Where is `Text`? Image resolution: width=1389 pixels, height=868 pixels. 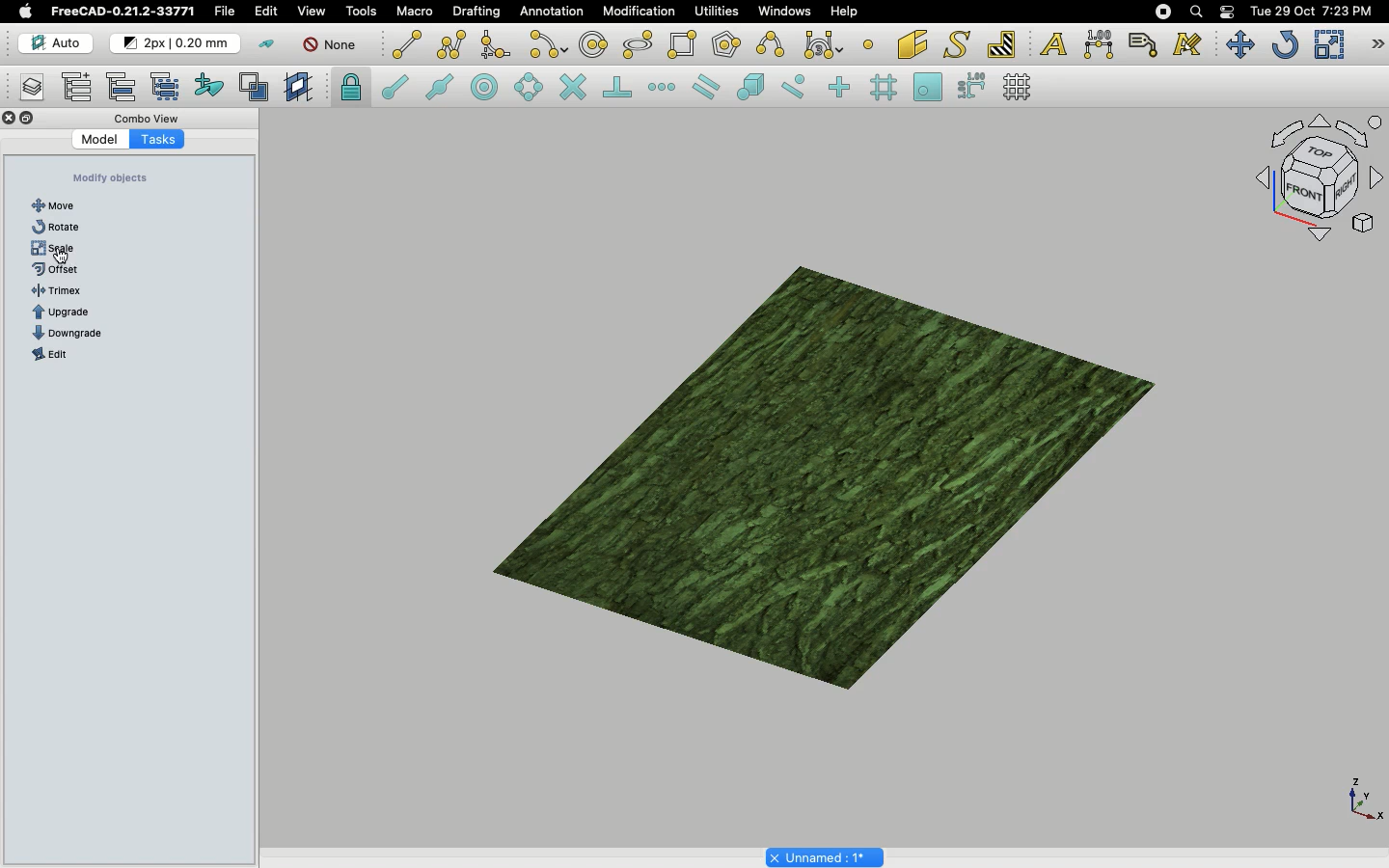 Text is located at coordinates (68, 333).